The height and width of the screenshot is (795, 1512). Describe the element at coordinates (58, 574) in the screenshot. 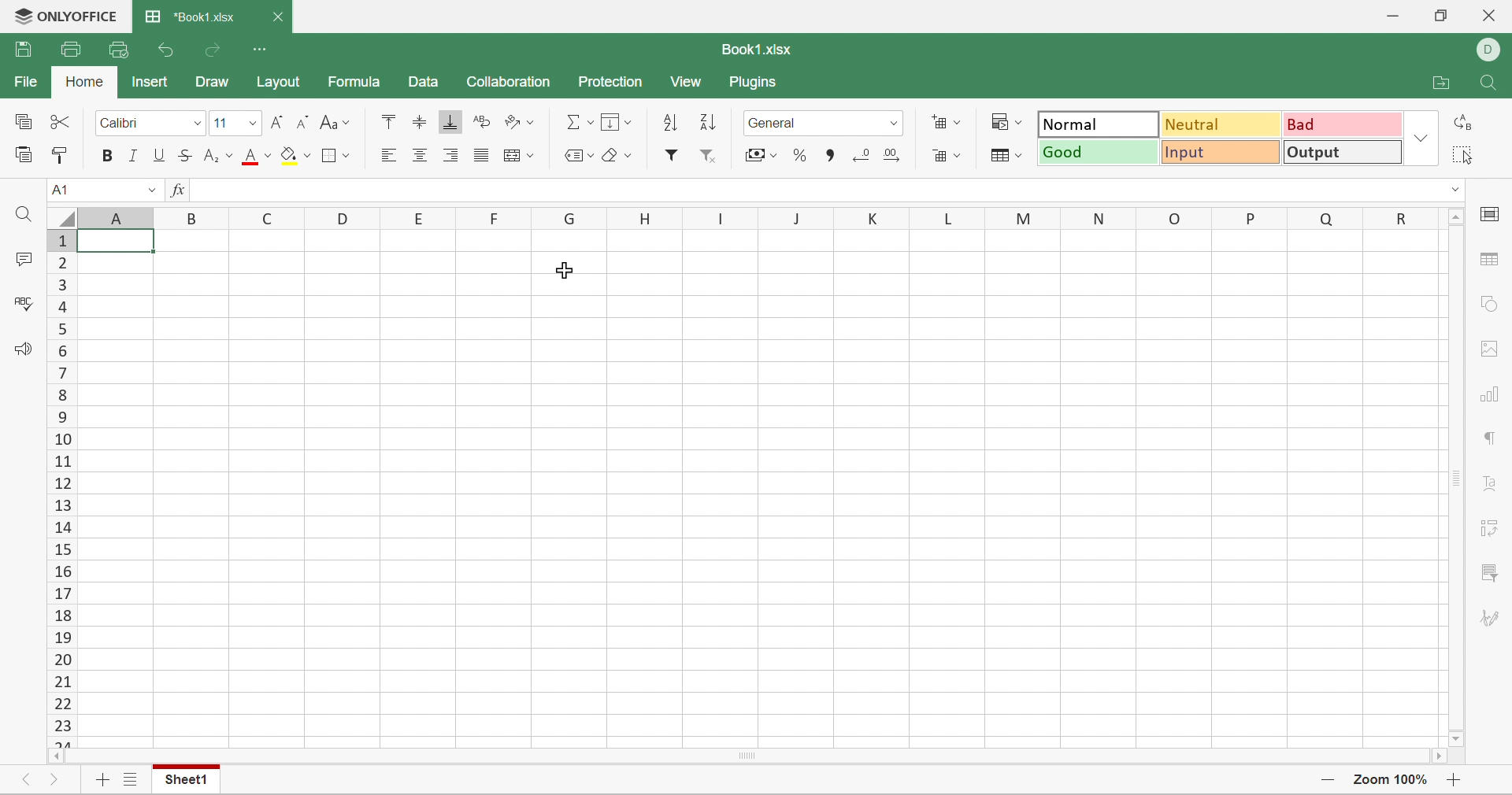

I see `16` at that location.